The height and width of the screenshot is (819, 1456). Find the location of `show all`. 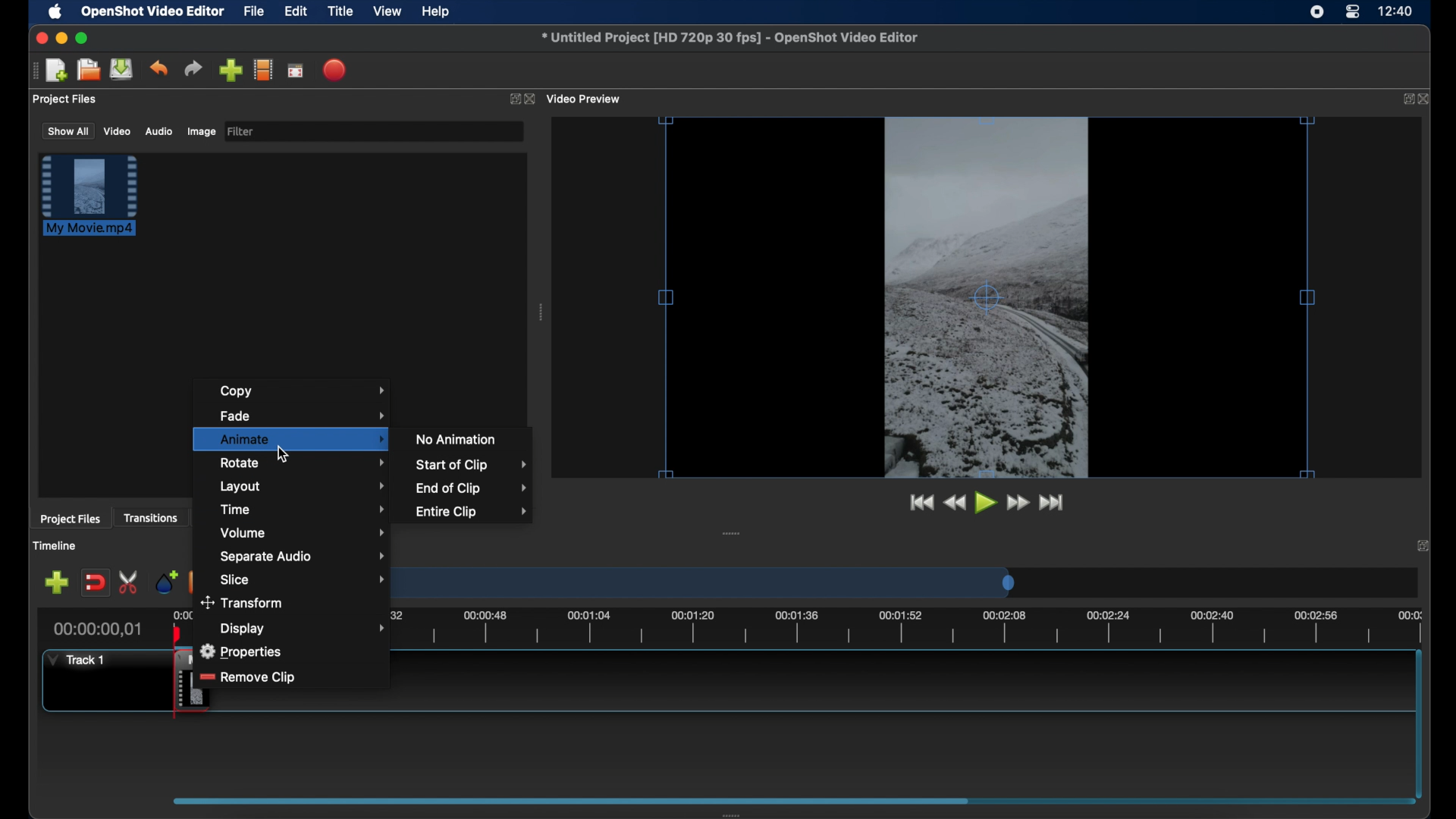

show all is located at coordinates (67, 130).